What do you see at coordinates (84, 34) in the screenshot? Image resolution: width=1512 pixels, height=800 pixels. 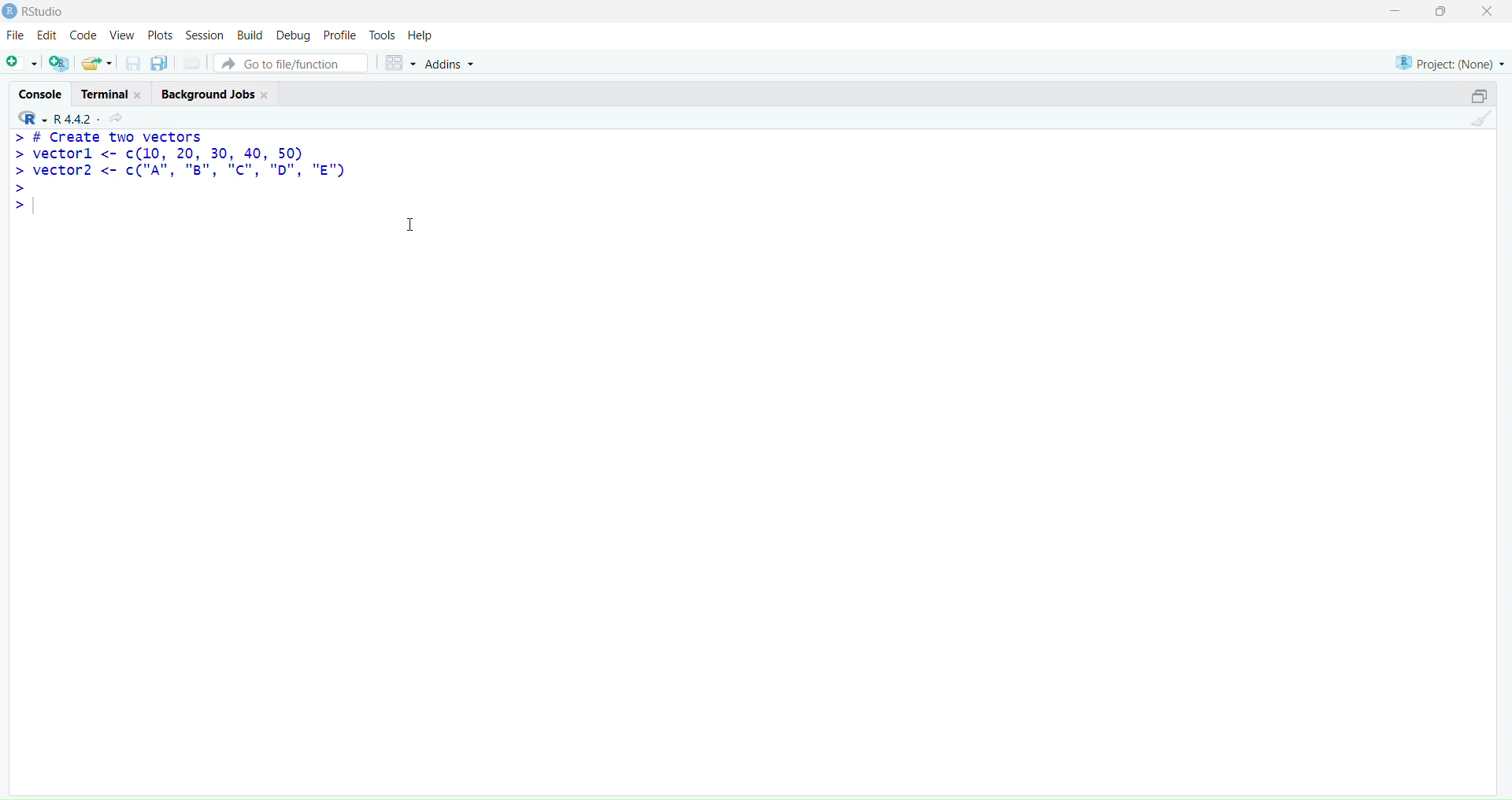 I see `Code` at bounding box center [84, 34].